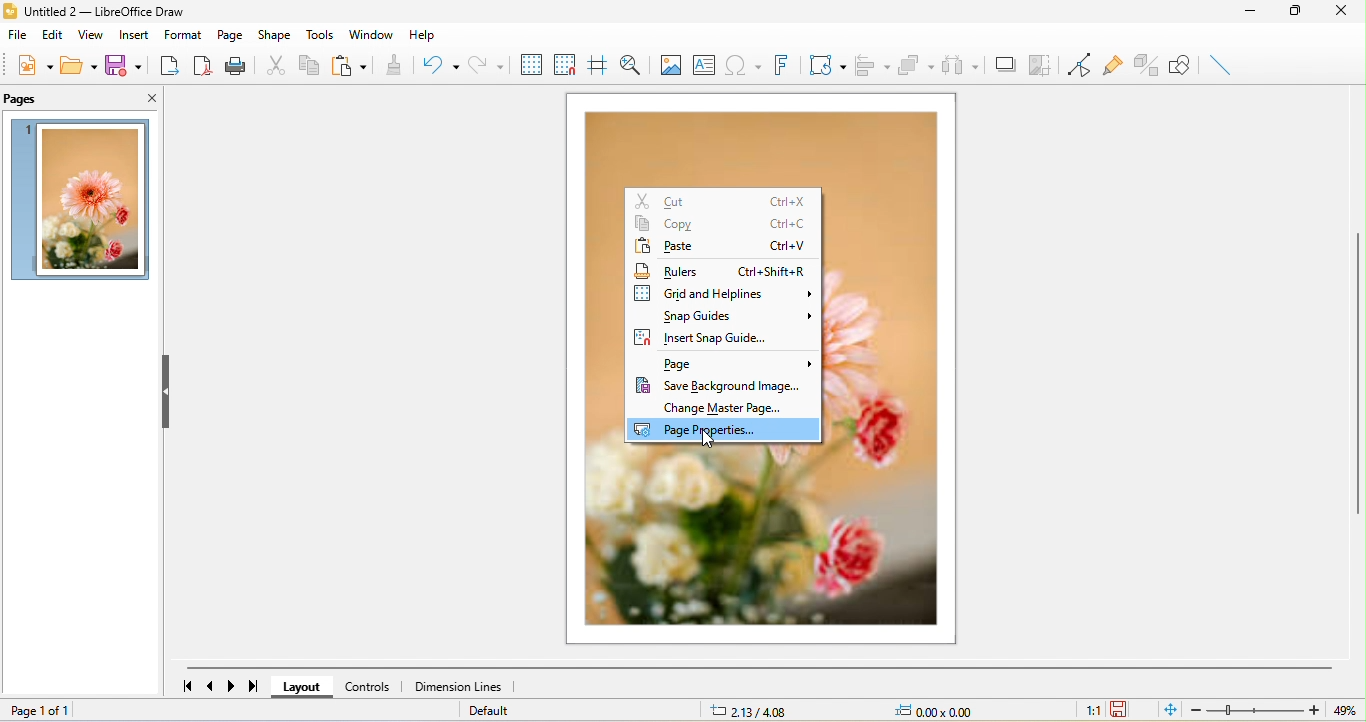 The height and width of the screenshot is (722, 1366). Describe the element at coordinates (727, 431) in the screenshot. I see `page properties` at that location.